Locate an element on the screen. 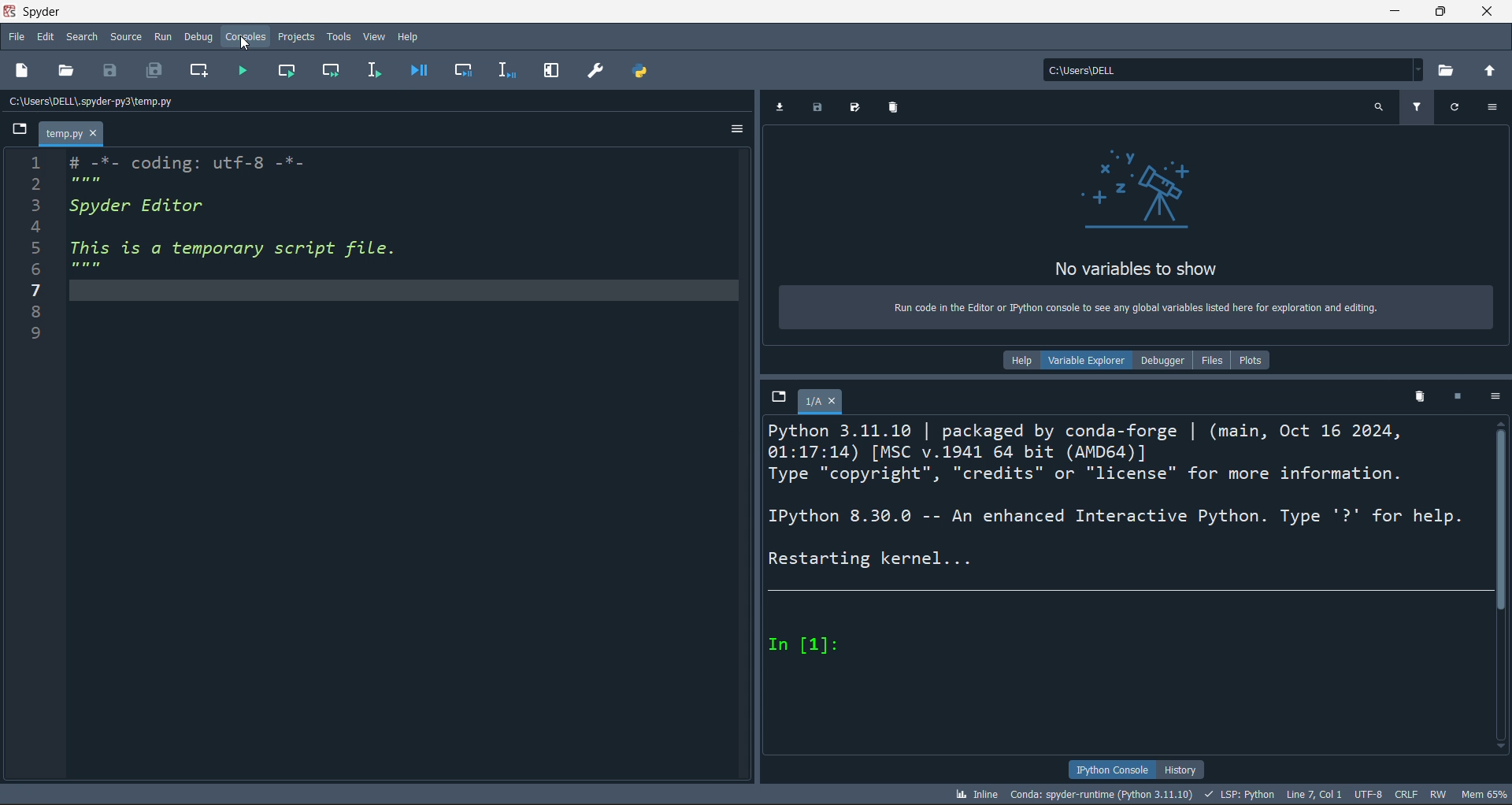 This screenshot has width=1512, height=805. delete kernel is located at coordinates (1423, 396).